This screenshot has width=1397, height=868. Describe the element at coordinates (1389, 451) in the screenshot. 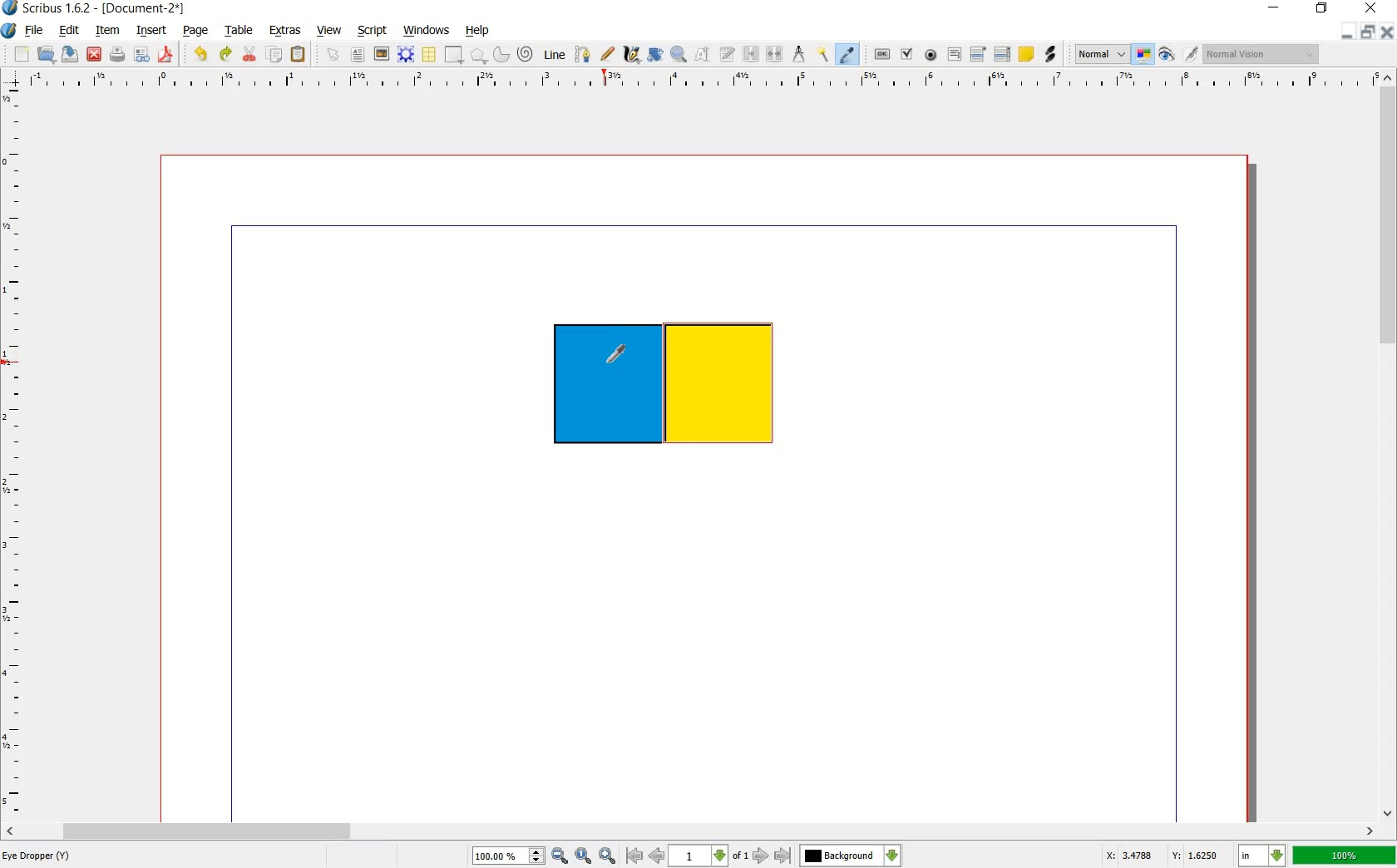

I see `scrollbar` at that location.